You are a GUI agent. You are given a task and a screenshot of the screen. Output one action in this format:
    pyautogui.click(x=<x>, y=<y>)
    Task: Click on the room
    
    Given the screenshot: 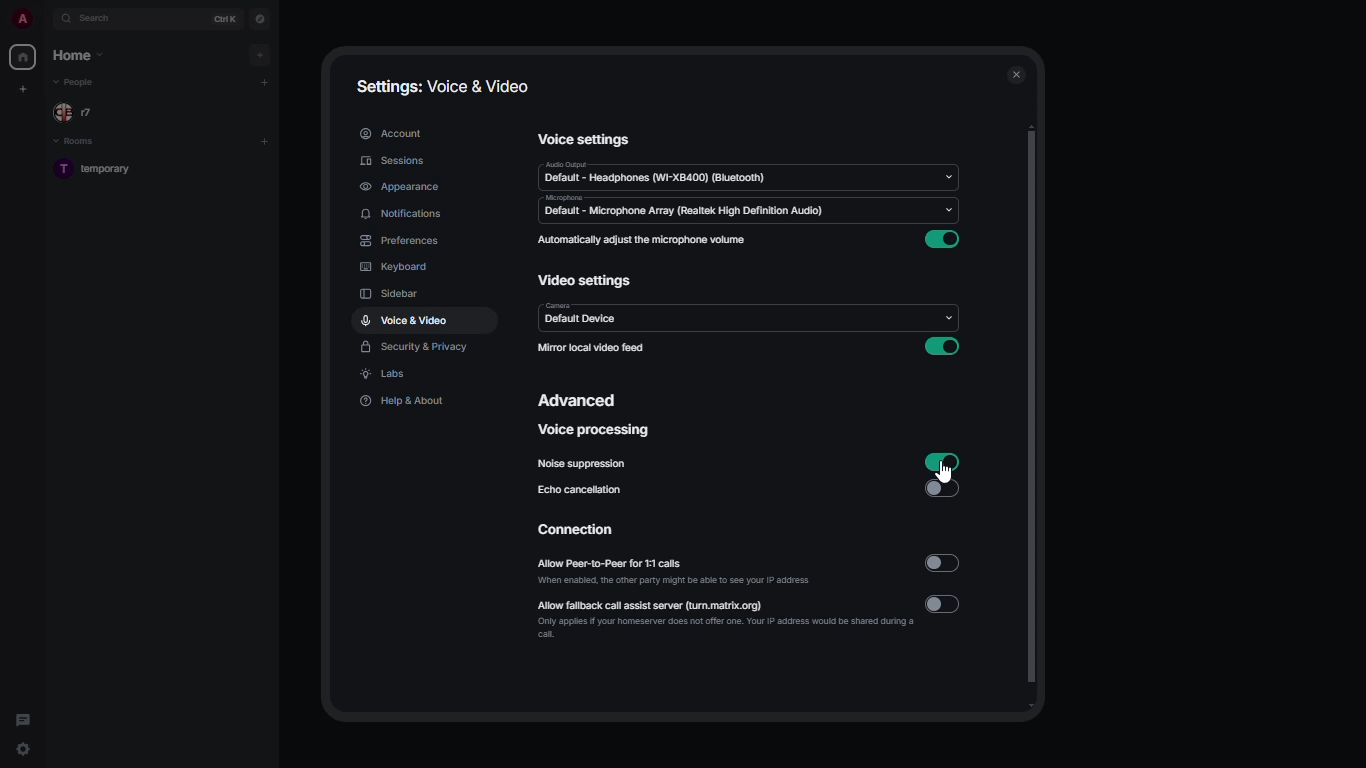 What is the action you would take?
    pyautogui.click(x=102, y=172)
    